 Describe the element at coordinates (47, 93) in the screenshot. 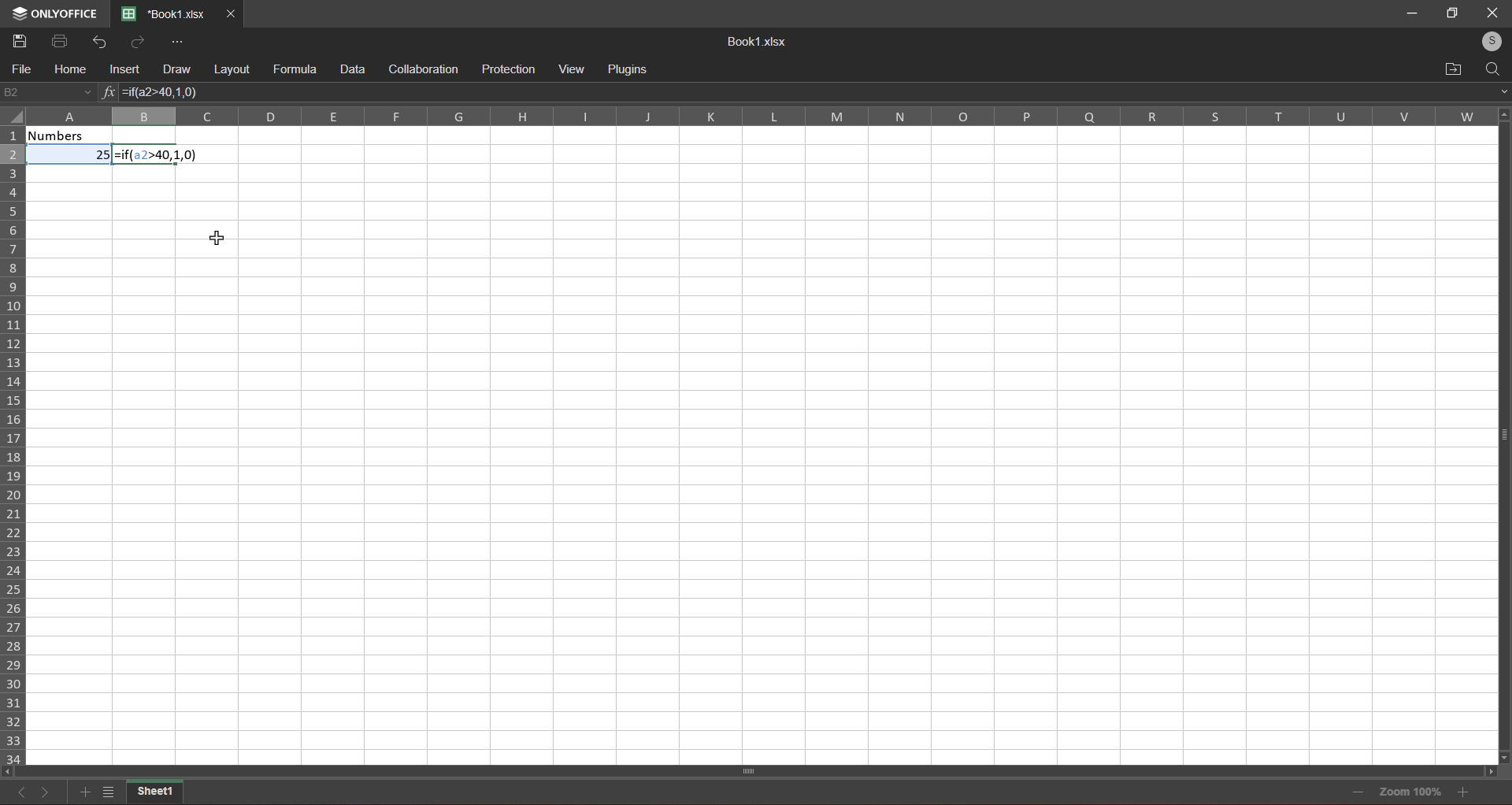

I see `current cell` at that location.